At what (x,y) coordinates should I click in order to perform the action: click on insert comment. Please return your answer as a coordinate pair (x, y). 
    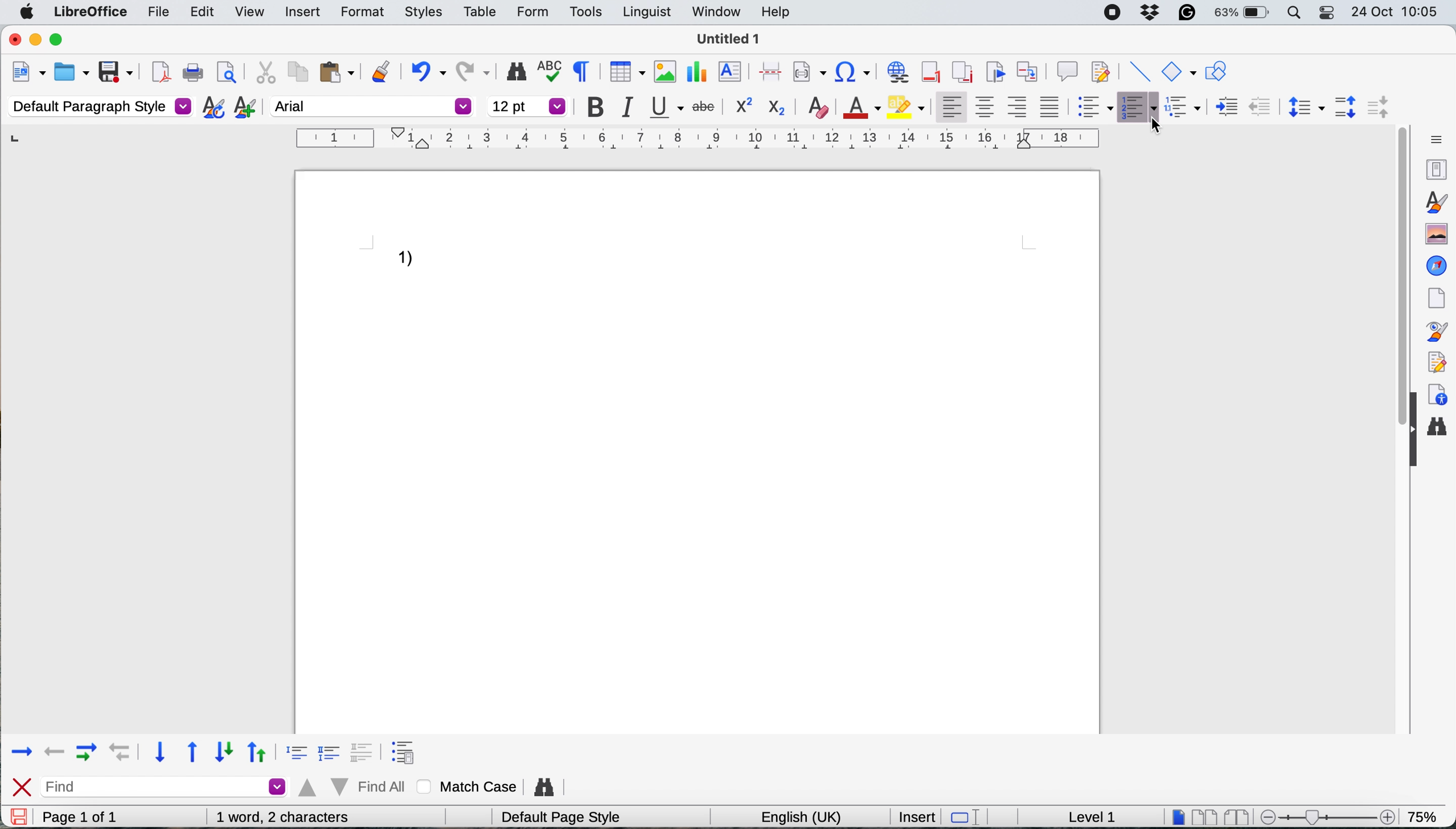
    Looking at the image, I should click on (1067, 69).